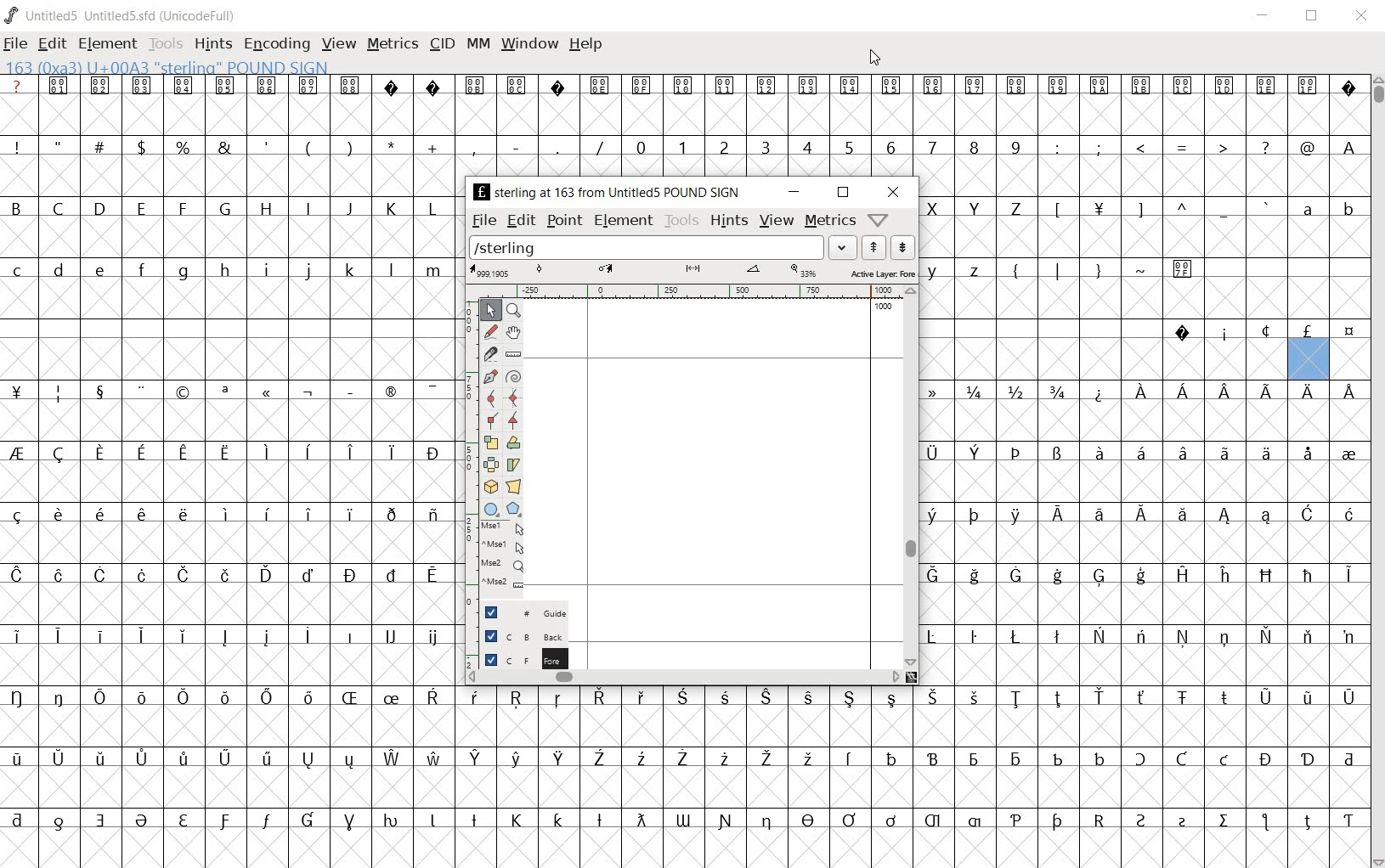 This screenshot has height=868, width=1385. What do you see at coordinates (59, 573) in the screenshot?
I see `Symbol` at bounding box center [59, 573].